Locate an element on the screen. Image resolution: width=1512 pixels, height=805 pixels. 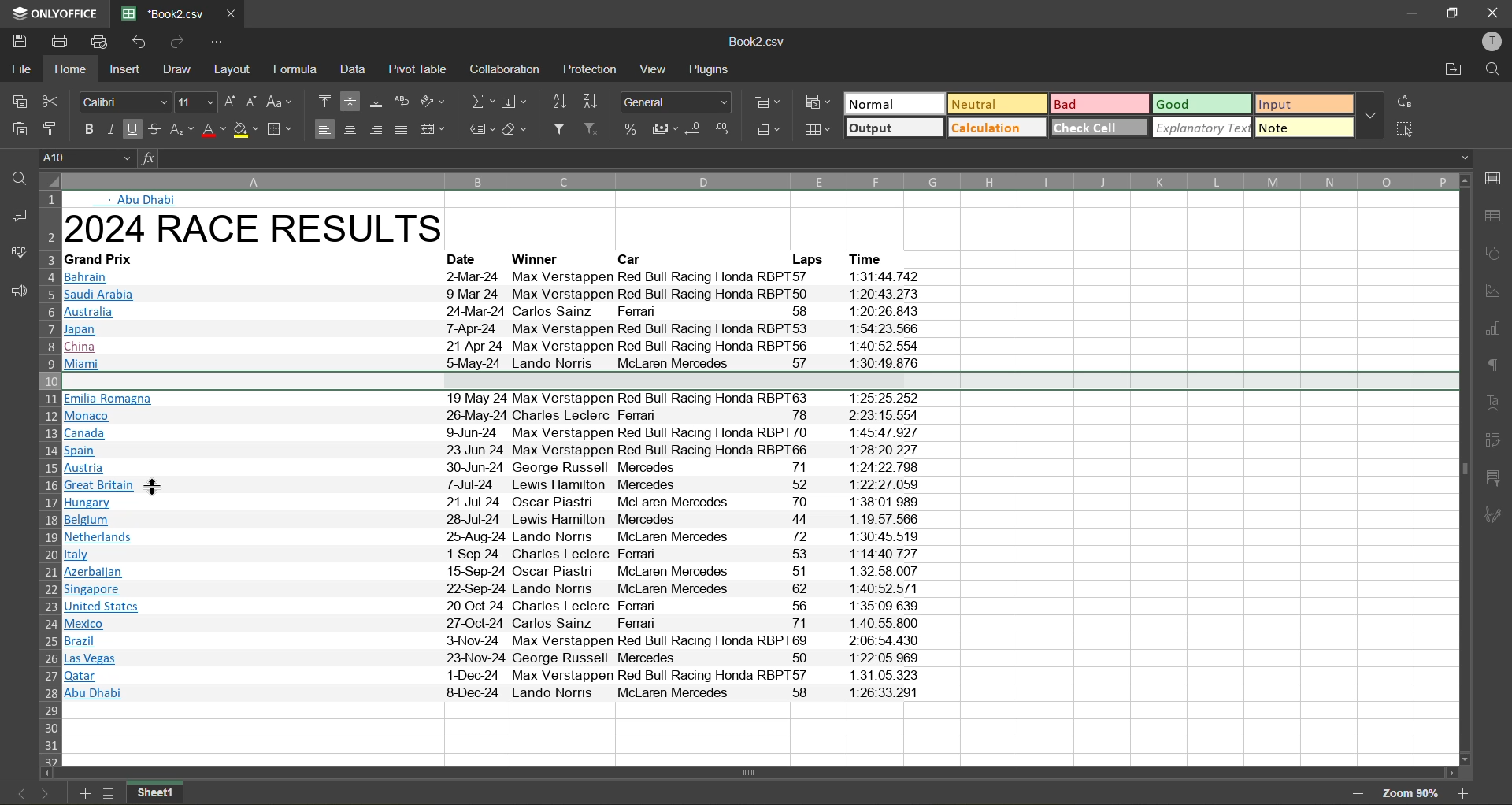
Austria 30-Jun-24 George Russell Mercedes 71 1:24:22.798 is located at coordinates (492, 469).